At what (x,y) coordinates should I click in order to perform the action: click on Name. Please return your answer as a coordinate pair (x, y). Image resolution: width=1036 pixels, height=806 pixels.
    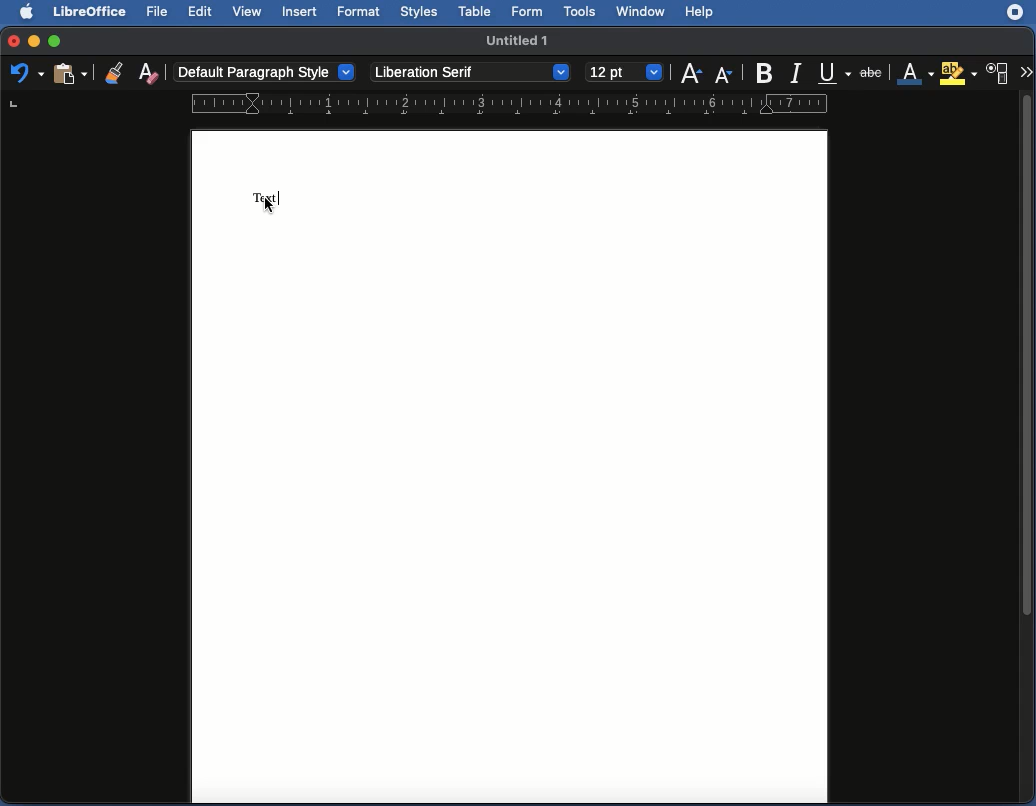
    Looking at the image, I should click on (519, 41).